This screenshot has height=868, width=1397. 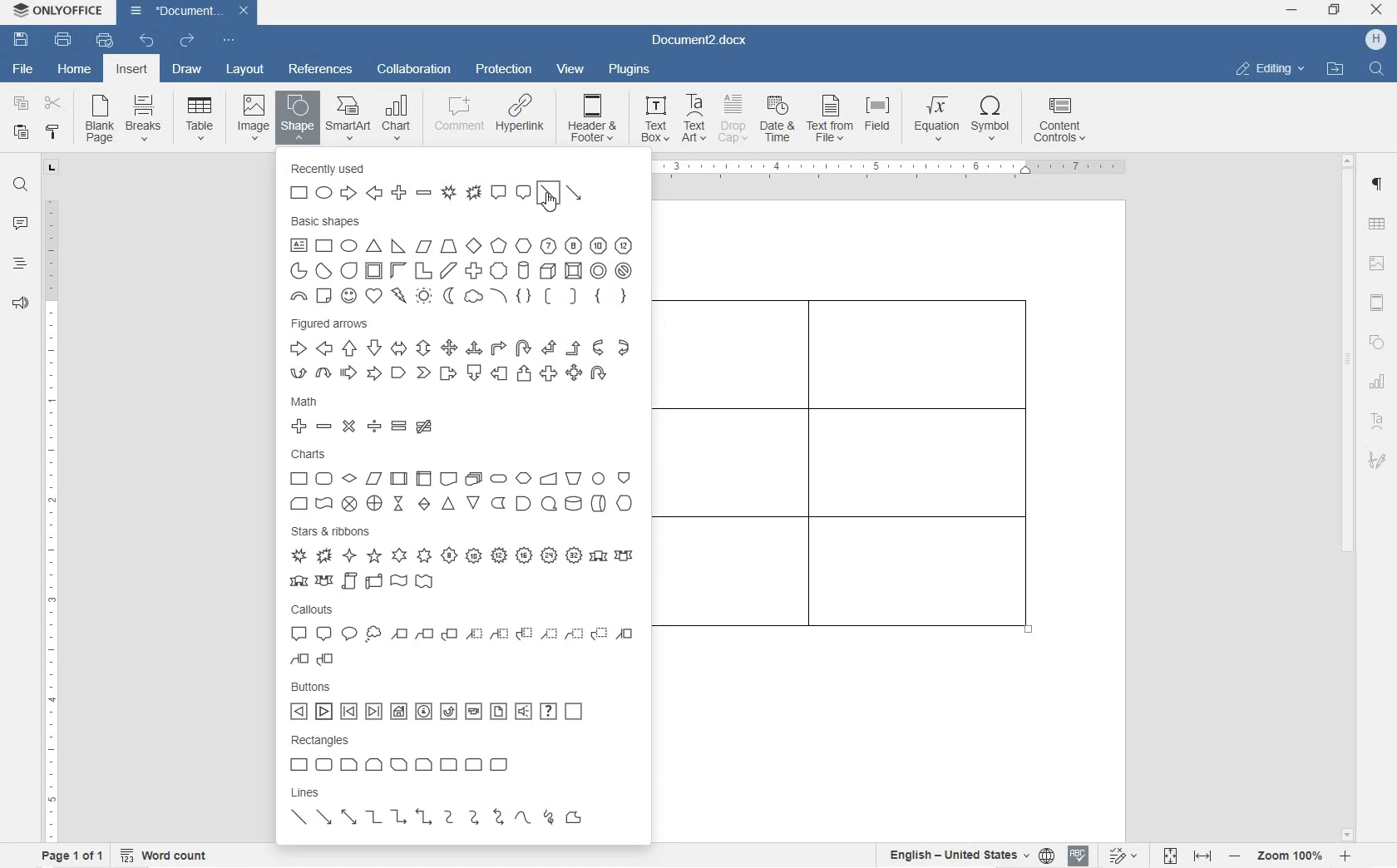 I want to click on insert table, so click(x=196, y=118).